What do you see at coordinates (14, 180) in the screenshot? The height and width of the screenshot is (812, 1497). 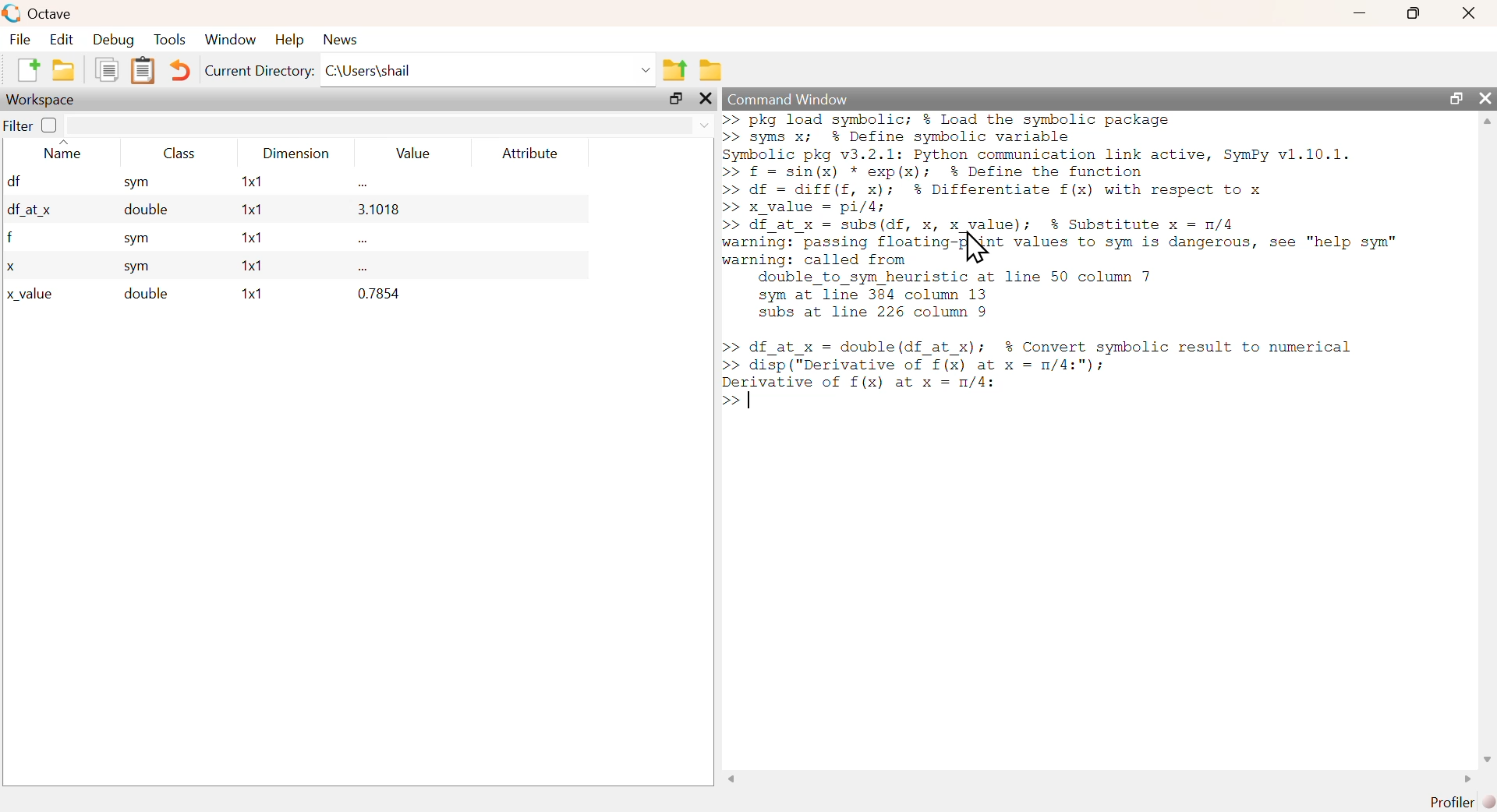 I see `df` at bounding box center [14, 180].